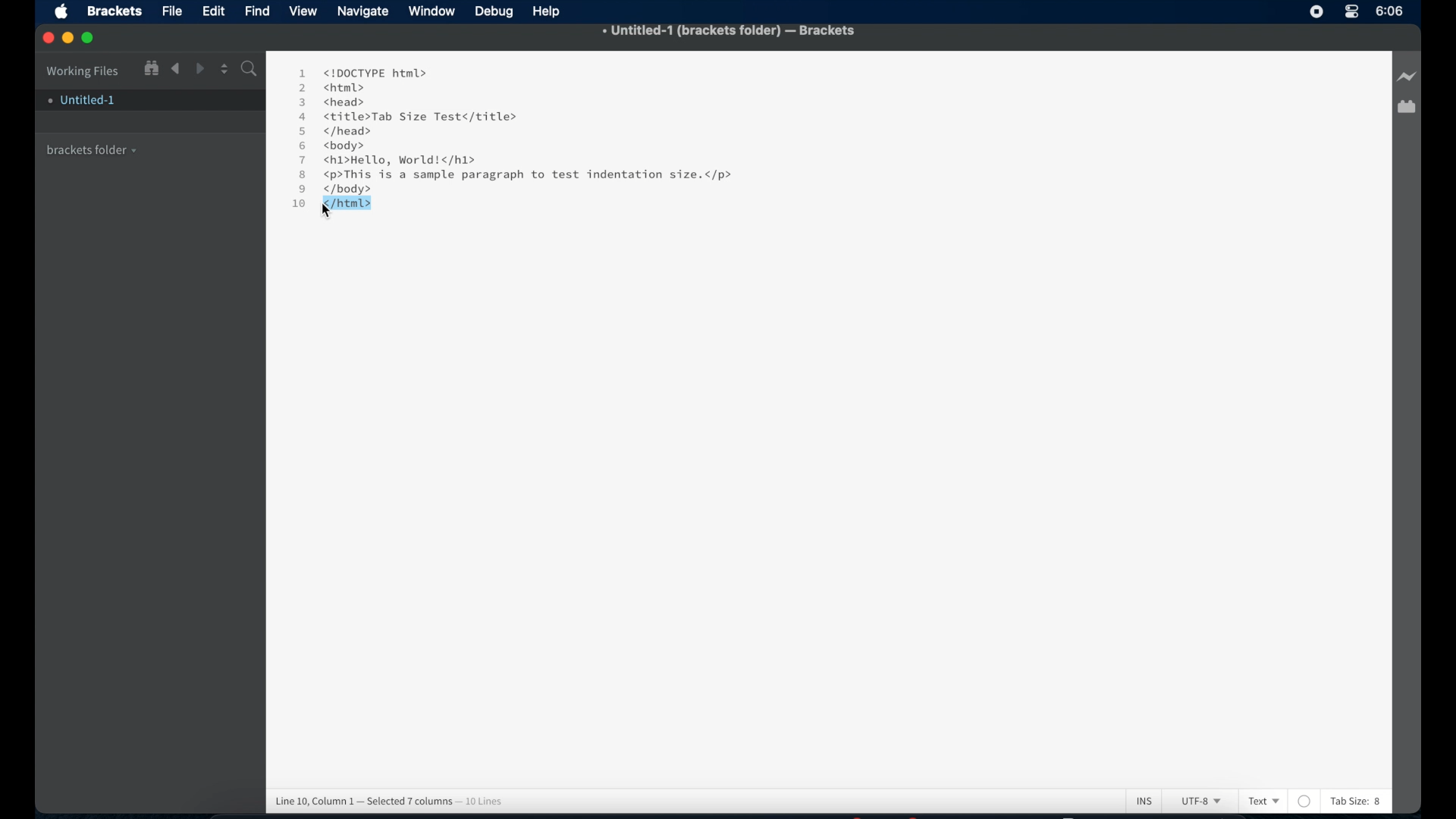  I want to click on Recording, so click(1351, 13).